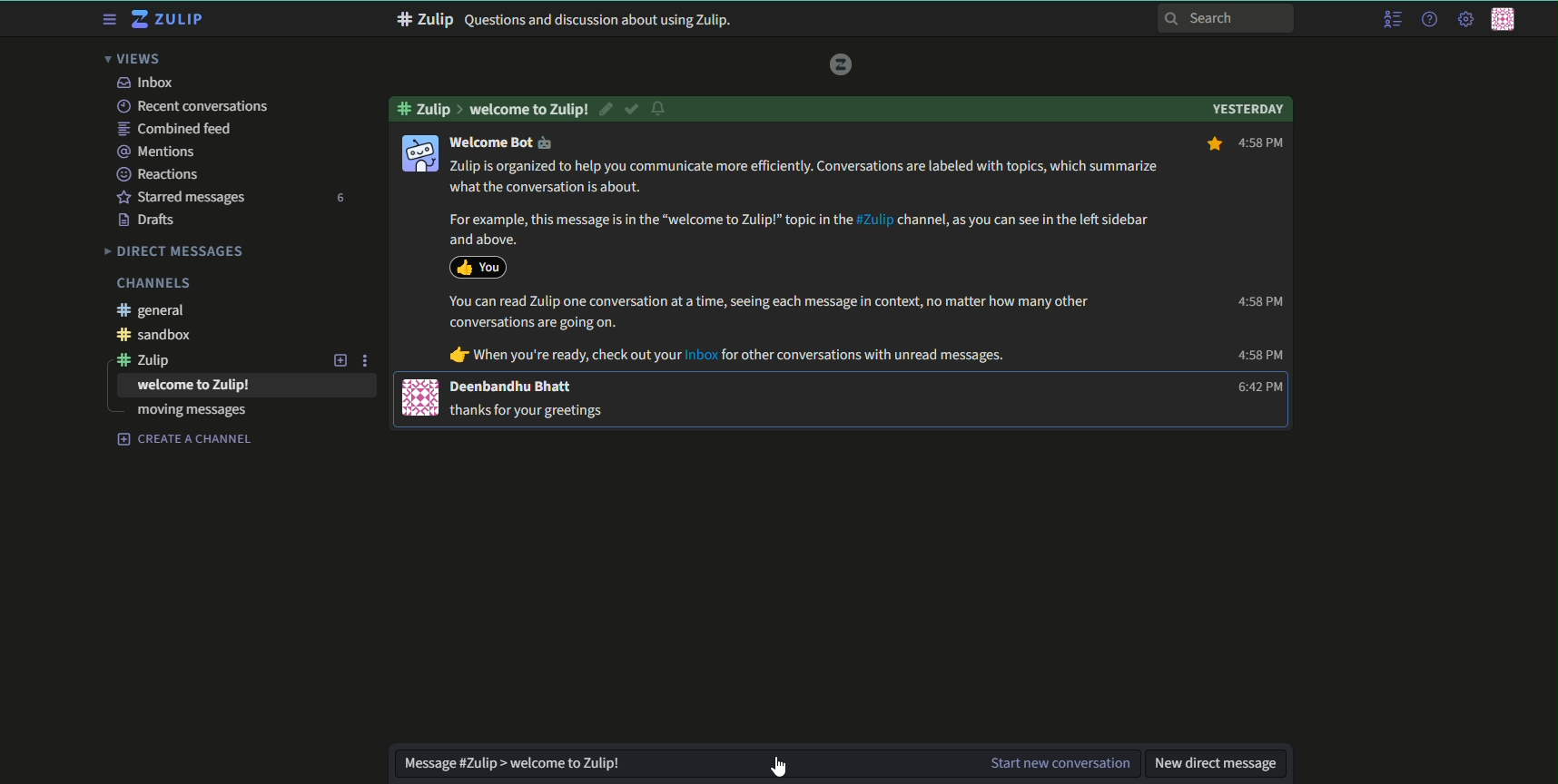 Image resolution: width=1558 pixels, height=784 pixels. Describe the element at coordinates (185, 439) in the screenshot. I see `create a channel` at that location.